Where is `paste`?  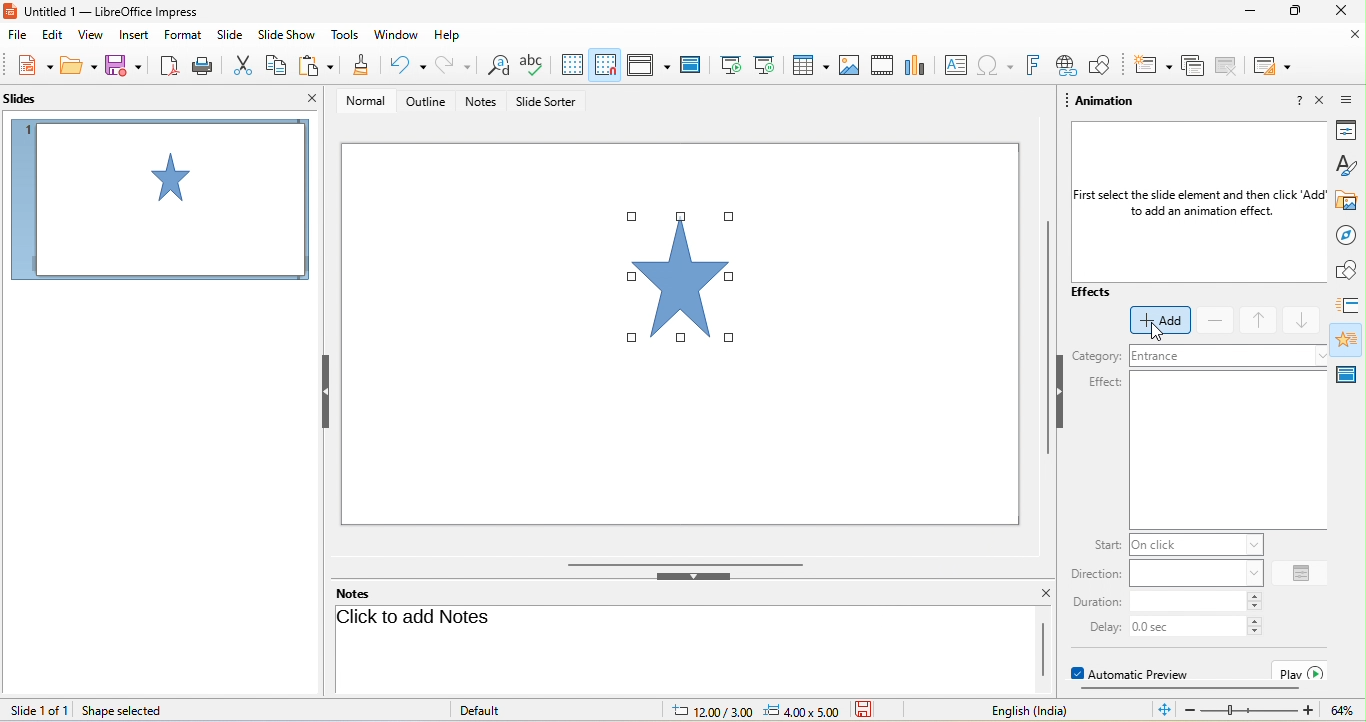
paste is located at coordinates (317, 65).